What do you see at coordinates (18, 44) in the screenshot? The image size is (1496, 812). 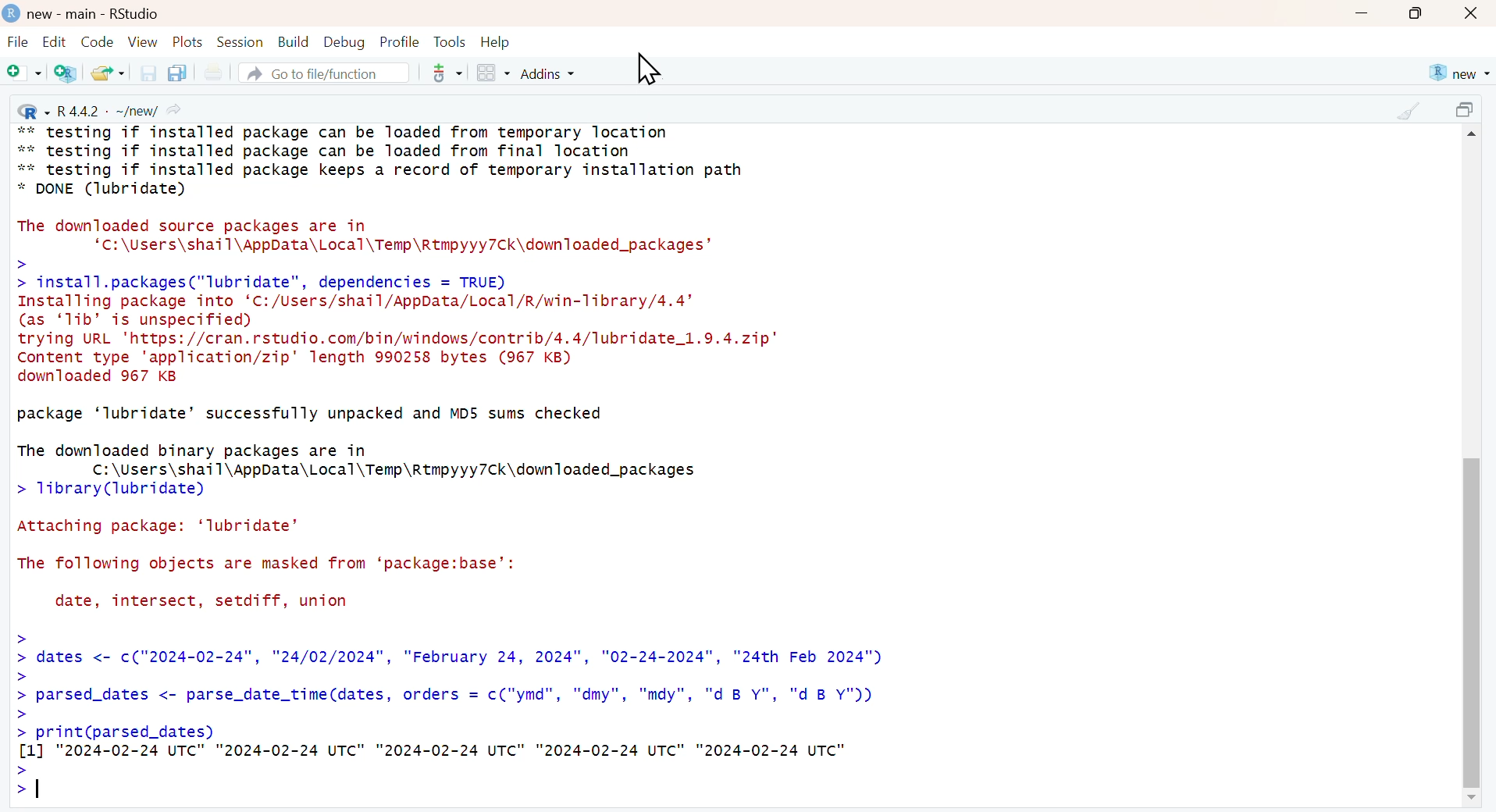 I see `File` at bounding box center [18, 44].